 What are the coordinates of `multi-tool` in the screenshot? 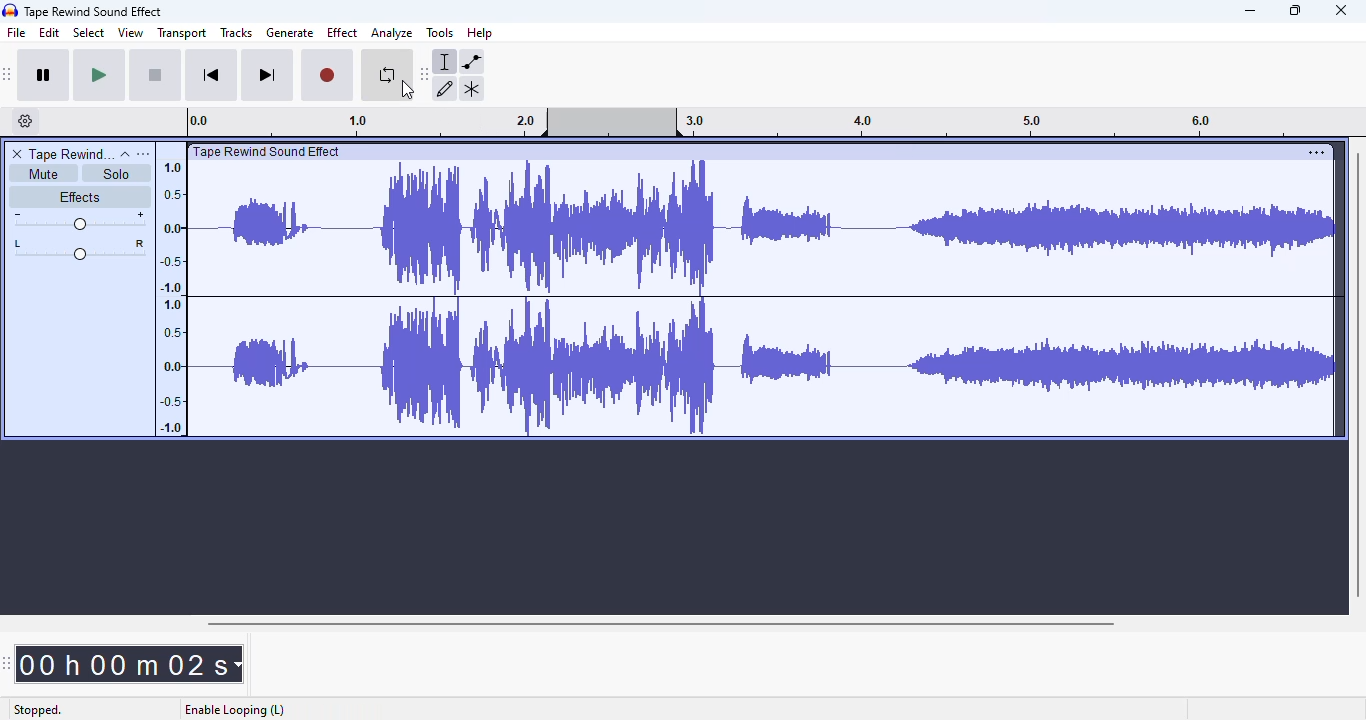 It's located at (471, 89).